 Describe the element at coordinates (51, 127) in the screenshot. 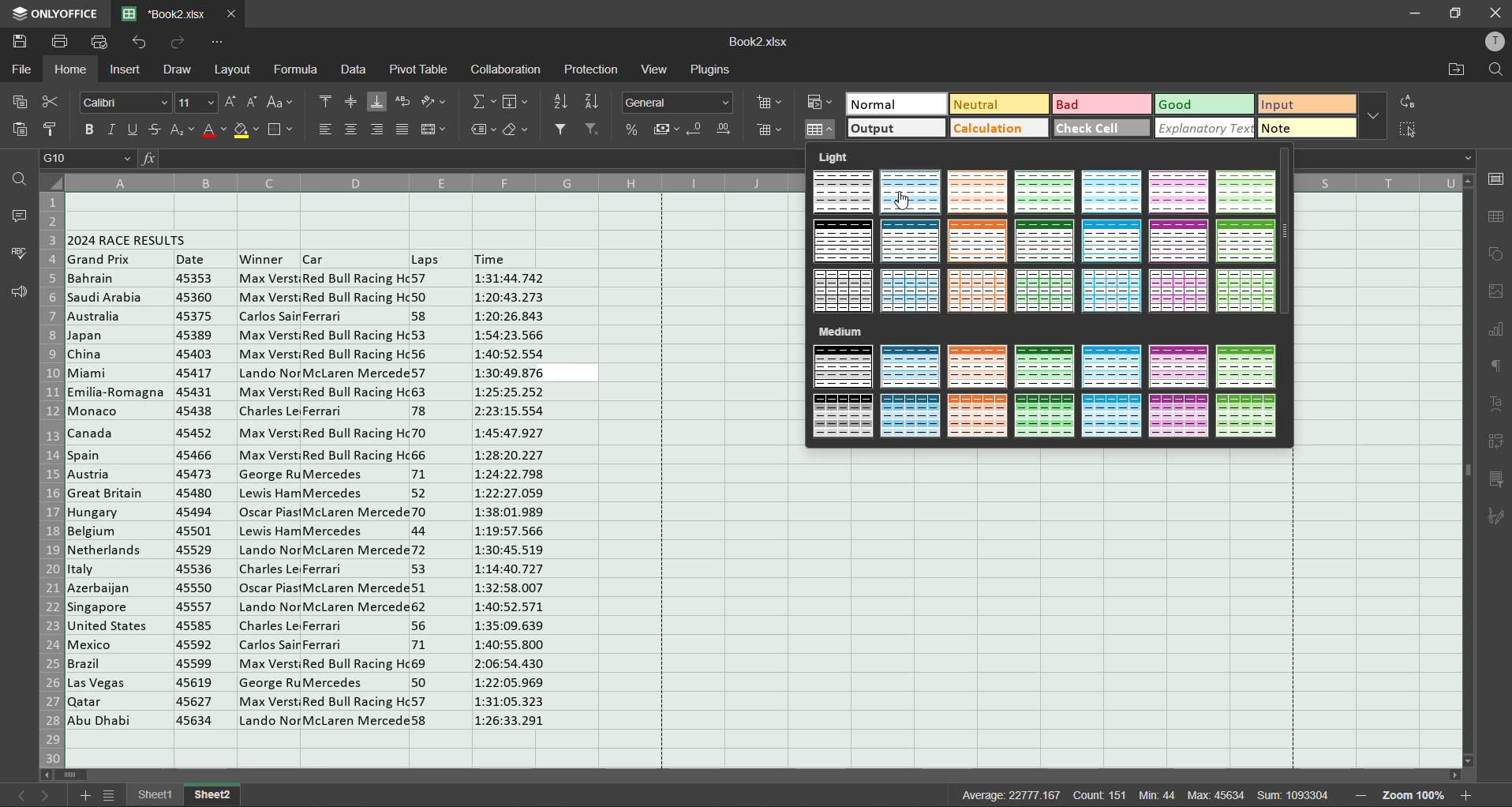

I see `copy style` at that location.